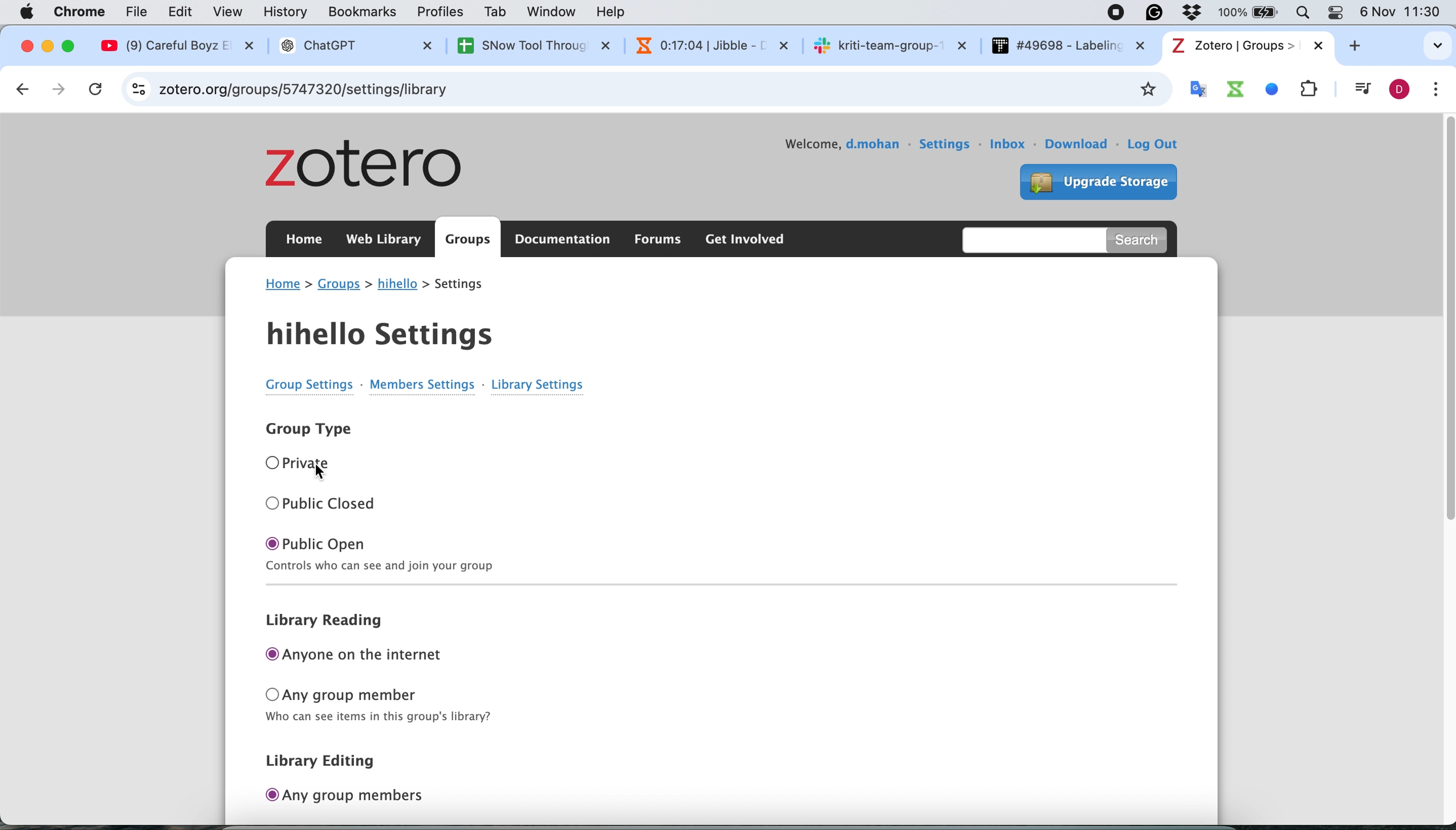 This screenshot has width=1456, height=830. I want to click on Control who can see and join your group, so click(585, 564).